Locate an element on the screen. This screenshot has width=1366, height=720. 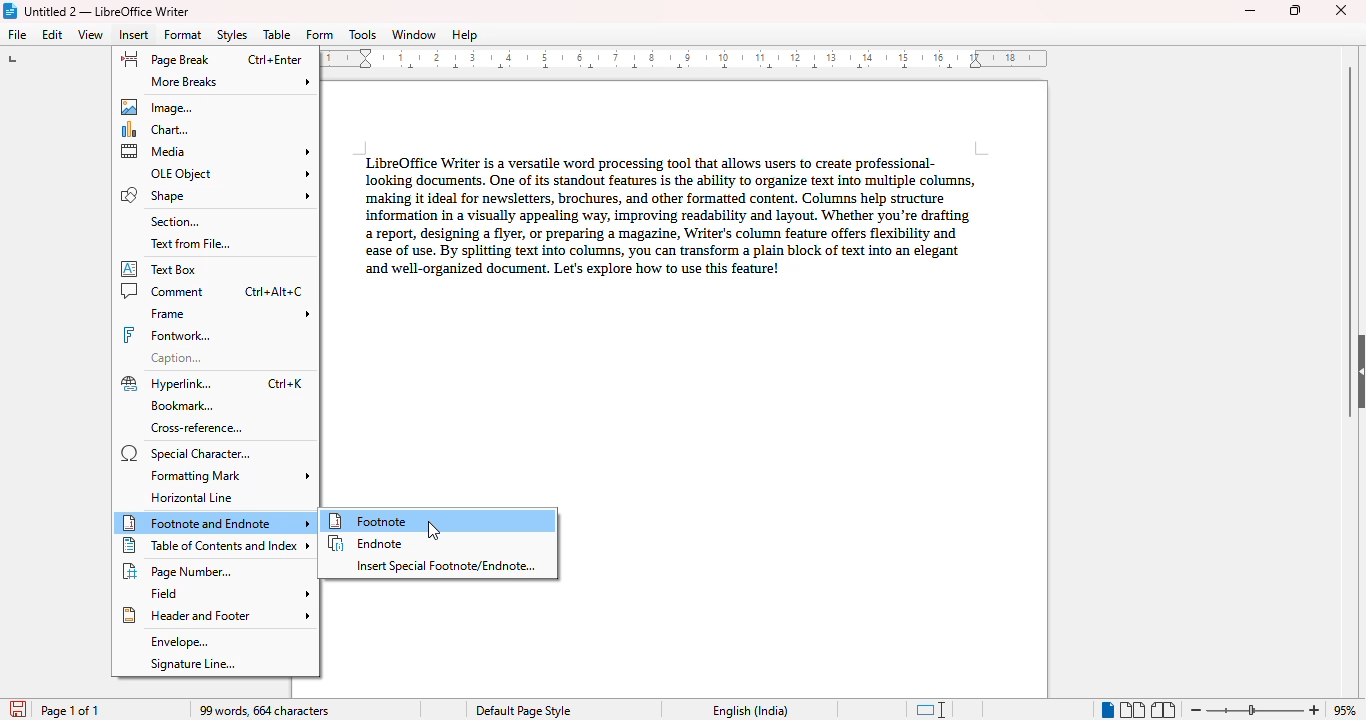
section is located at coordinates (173, 222).